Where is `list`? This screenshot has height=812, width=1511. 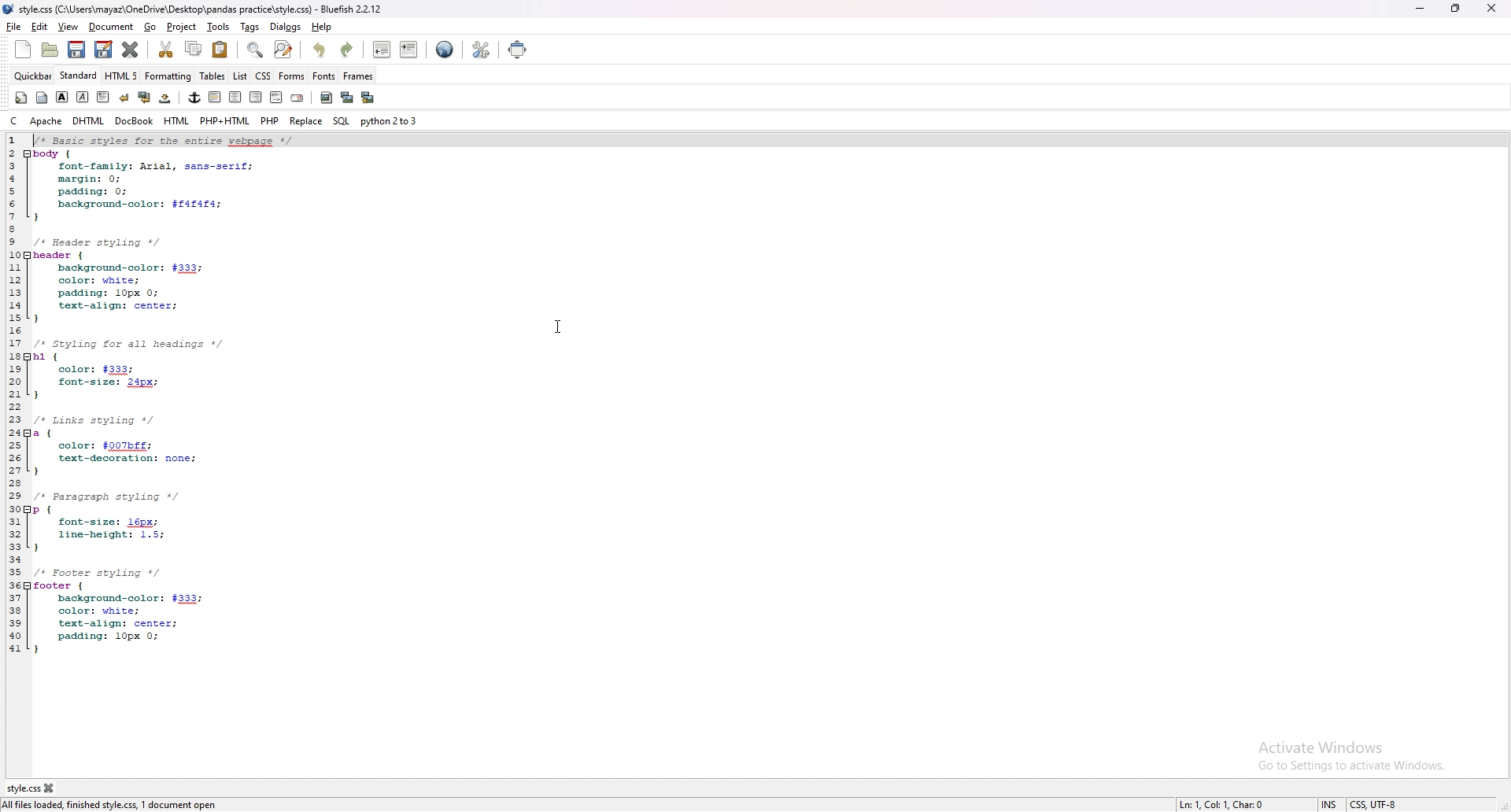
list is located at coordinates (241, 76).